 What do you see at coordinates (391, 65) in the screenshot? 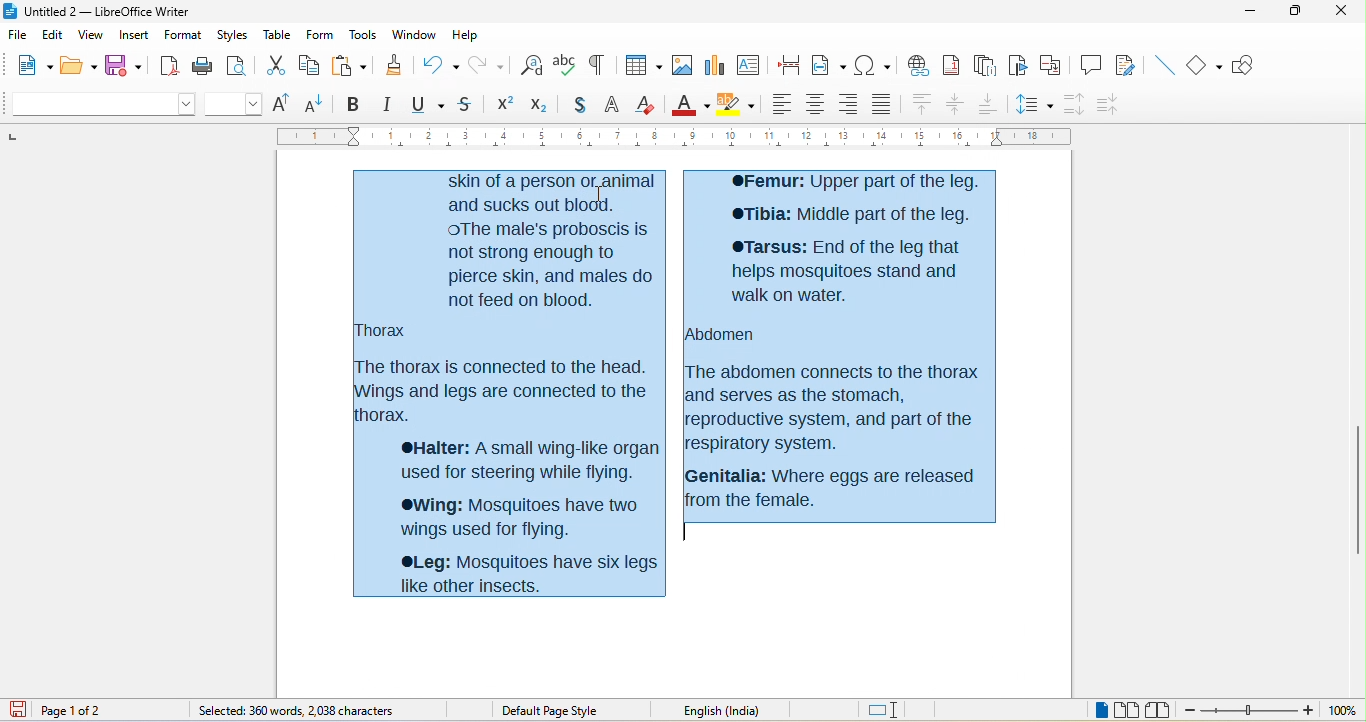
I see `clone formatting ` at bounding box center [391, 65].